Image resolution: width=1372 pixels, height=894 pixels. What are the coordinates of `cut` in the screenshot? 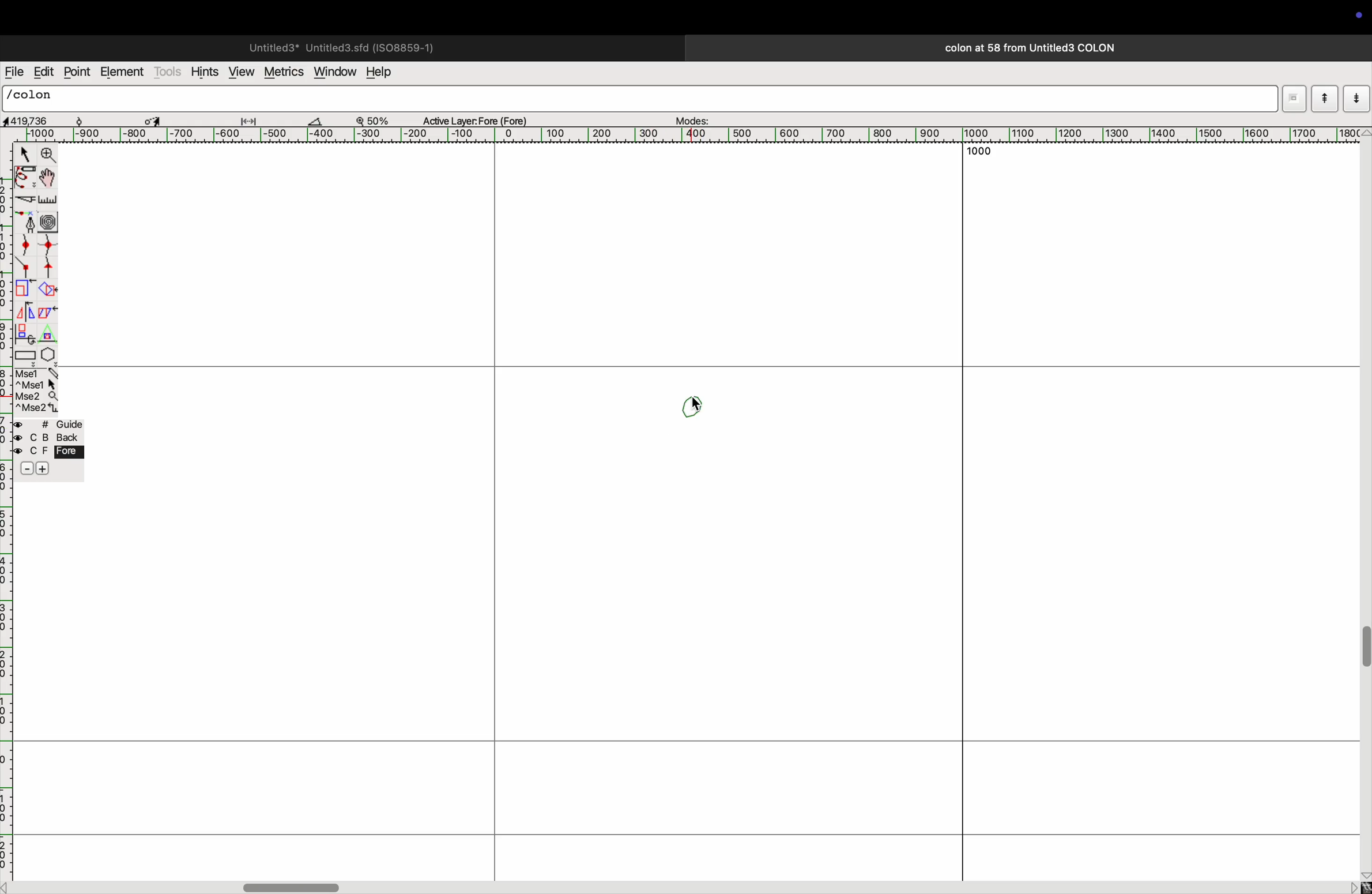 It's located at (322, 121).